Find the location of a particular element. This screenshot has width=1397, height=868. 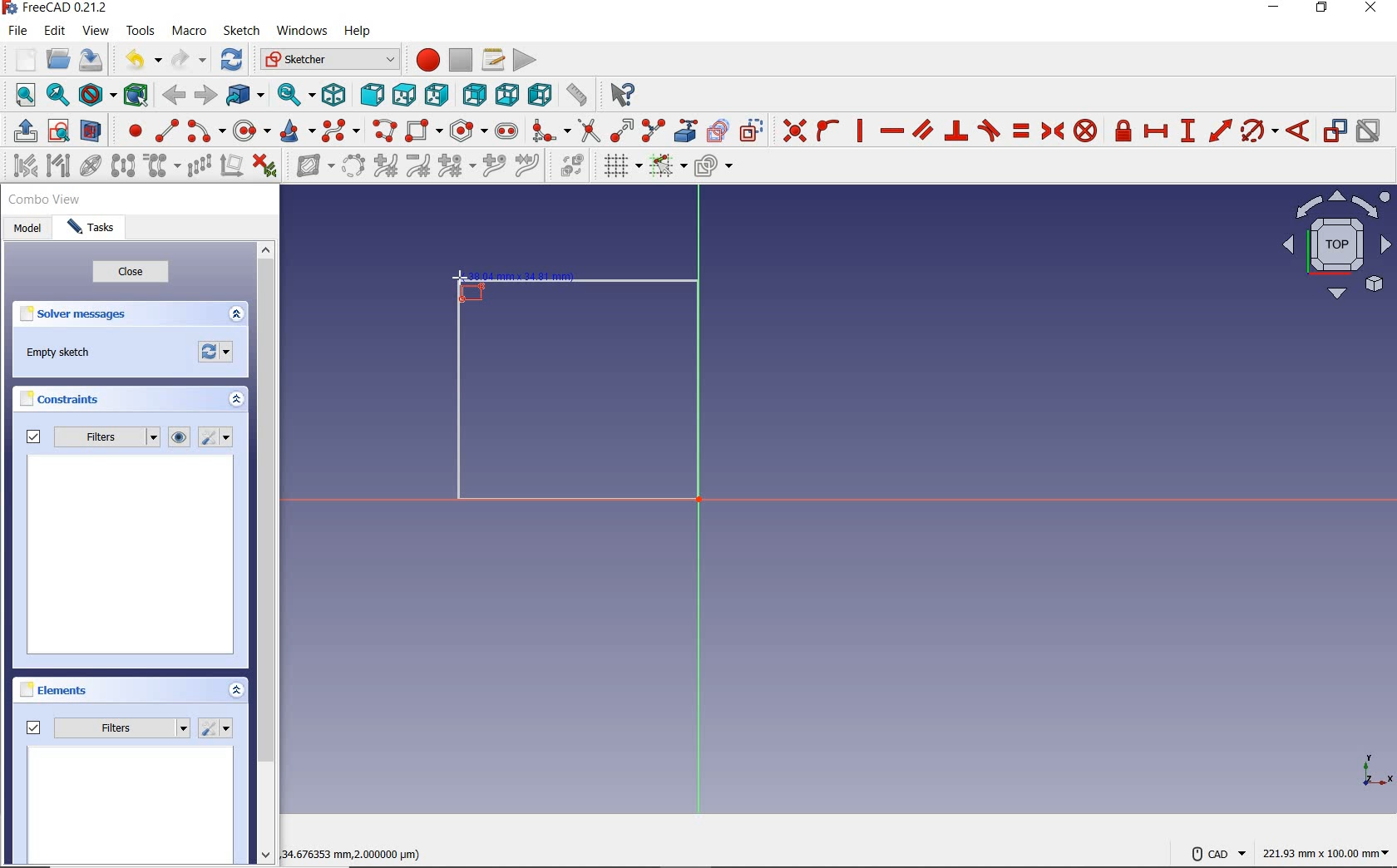

sketch is located at coordinates (243, 31).